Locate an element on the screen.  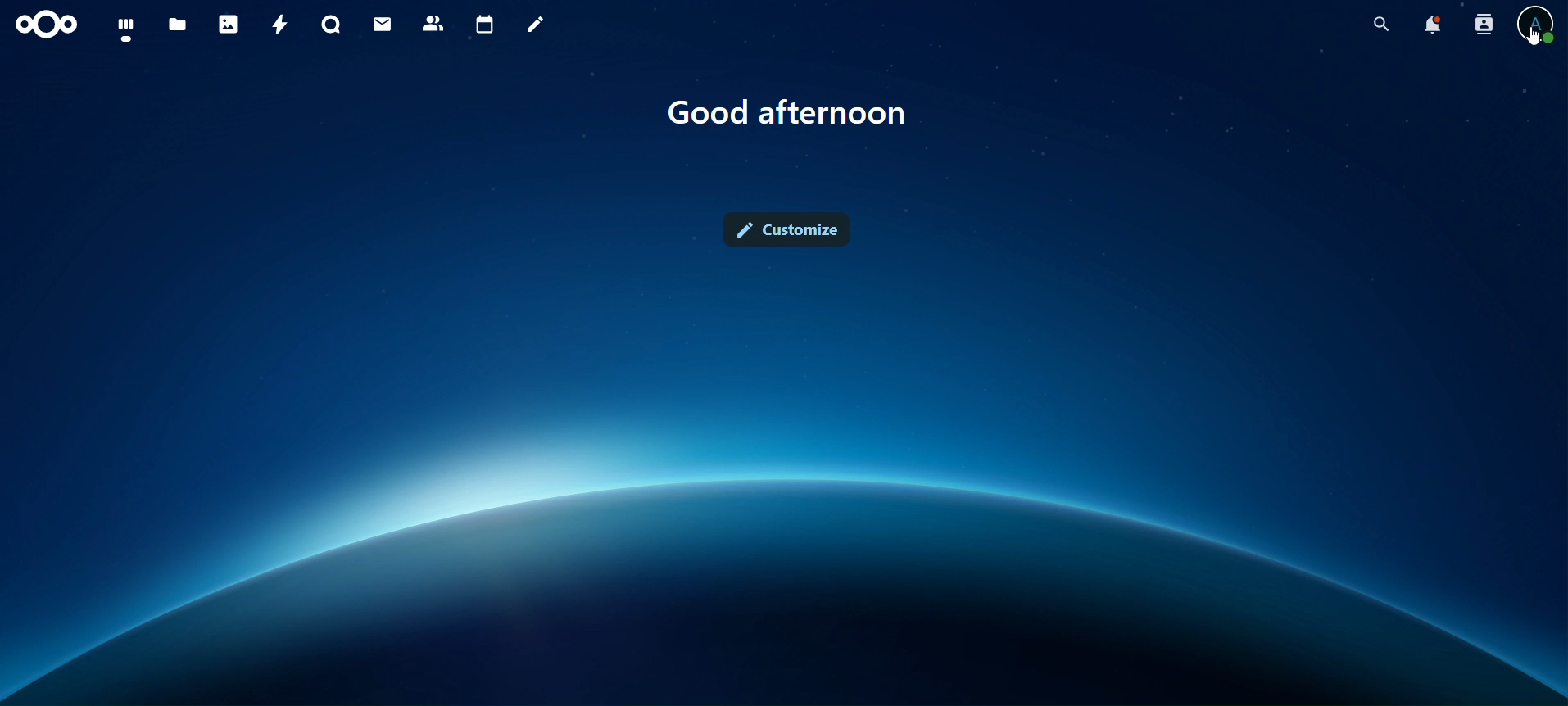
icon is located at coordinates (48, 25).